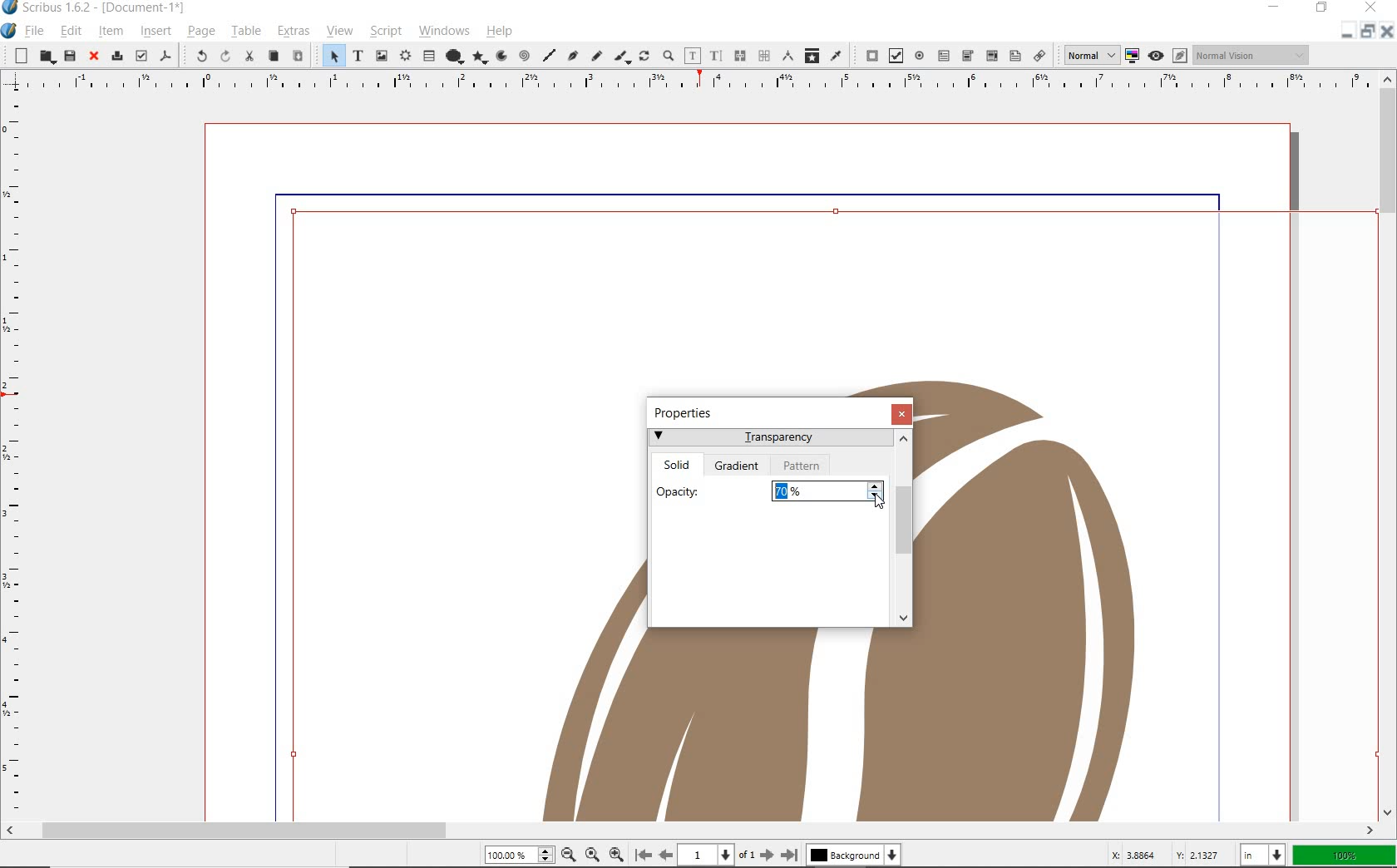 This screenshot has height=868, width=1397. I want to click on select unit: in, so click(1265, 856).